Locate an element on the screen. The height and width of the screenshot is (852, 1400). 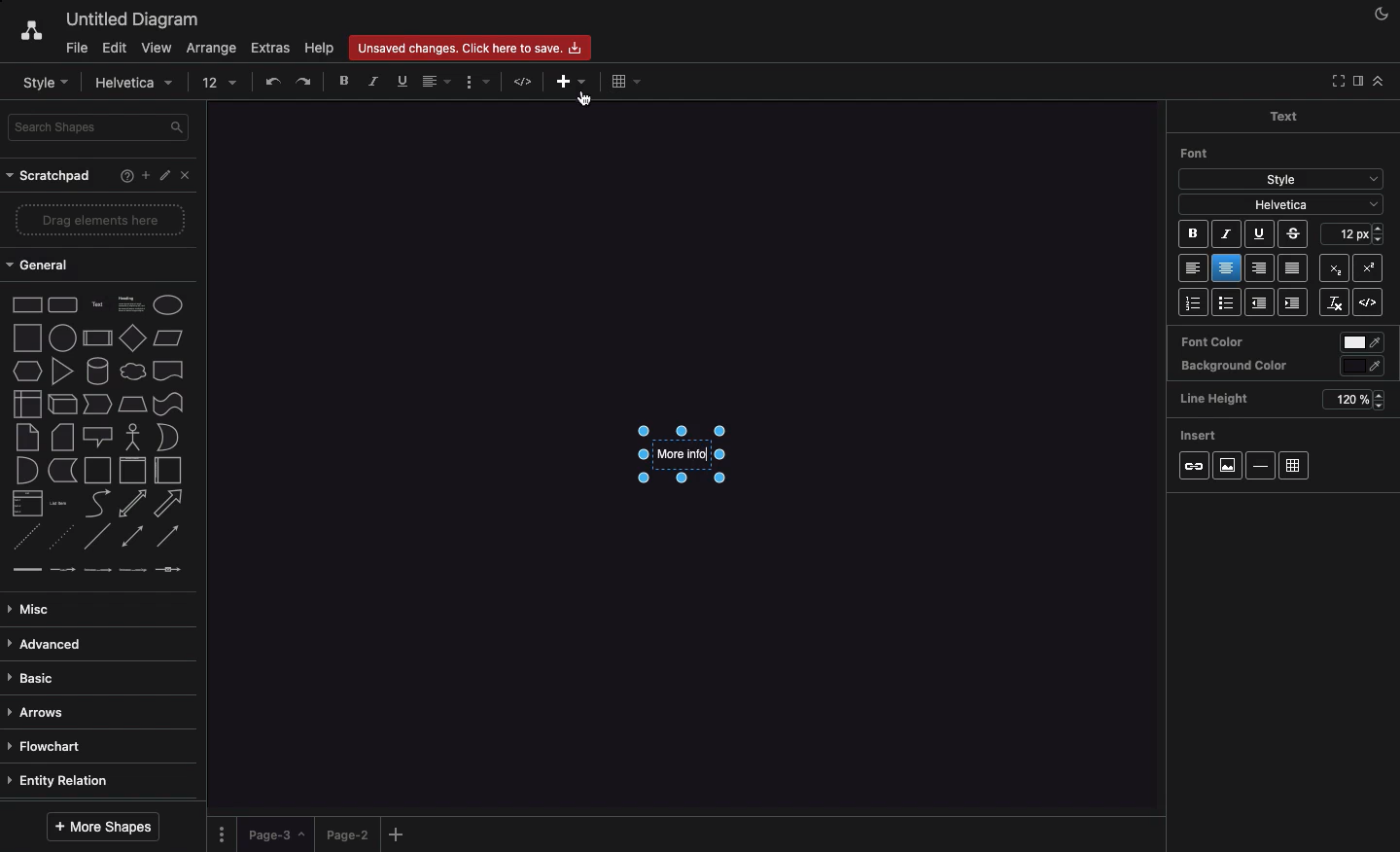
Edit is located at coordinates (114, 49).